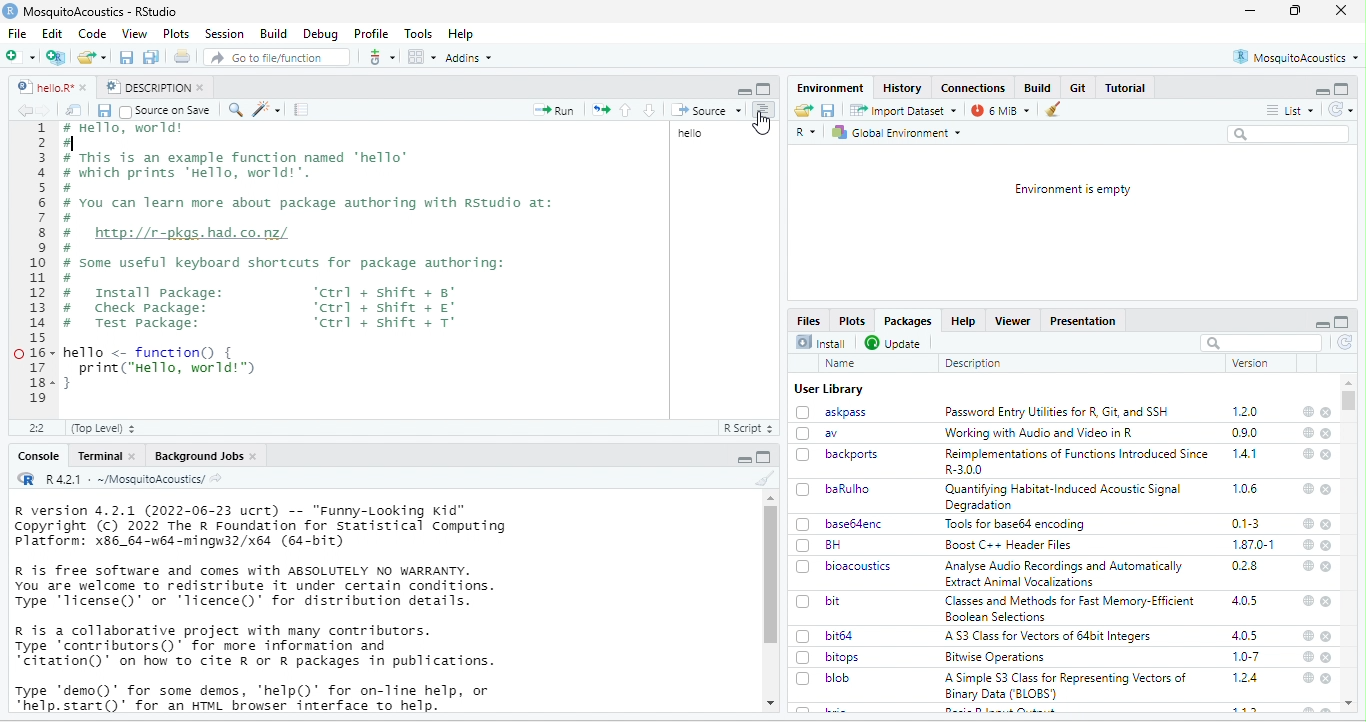  I want to click on close, so click(1327, 434).